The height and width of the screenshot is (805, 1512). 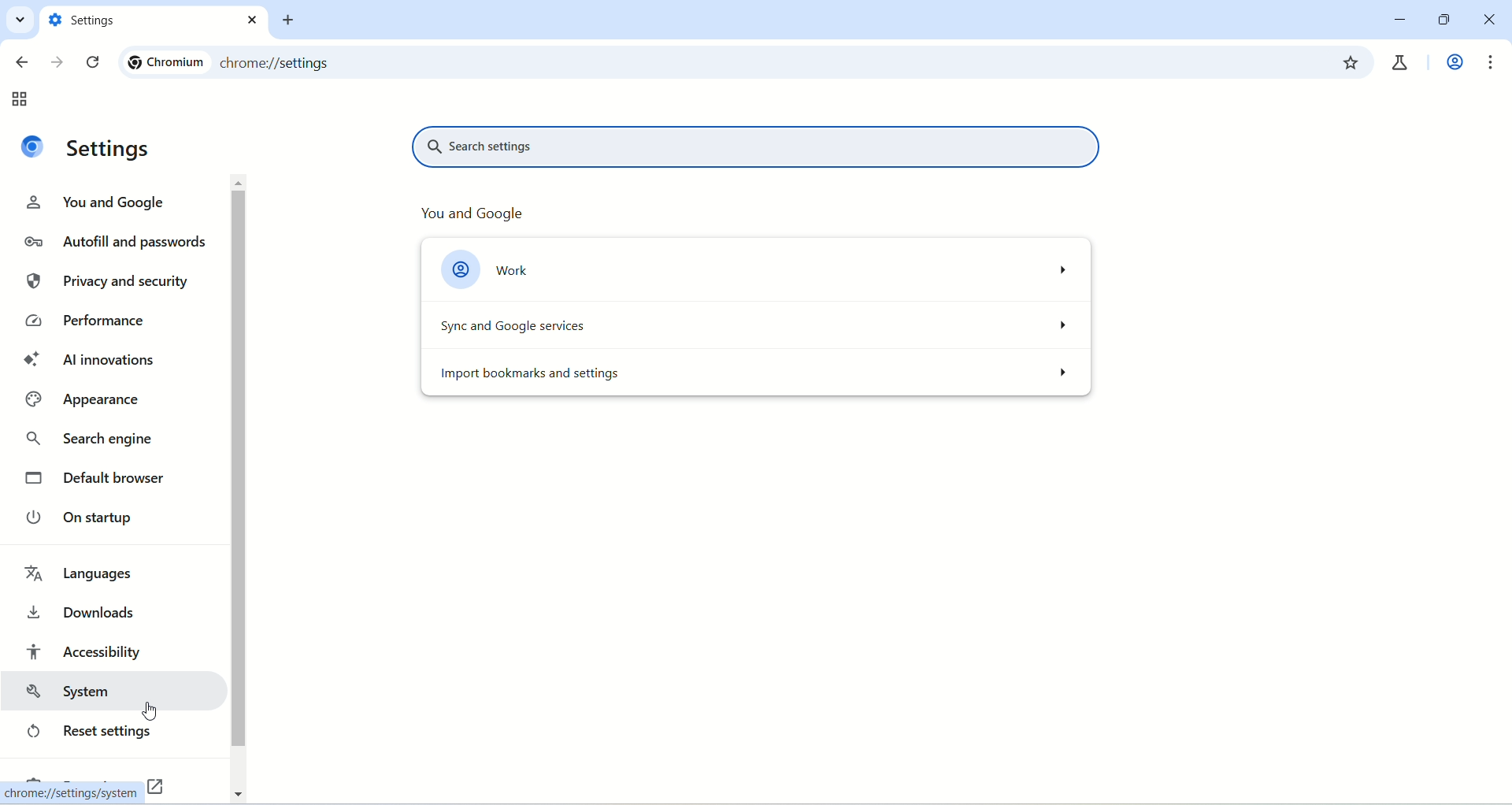 I want to click on logo, so click(x=35, y=147).